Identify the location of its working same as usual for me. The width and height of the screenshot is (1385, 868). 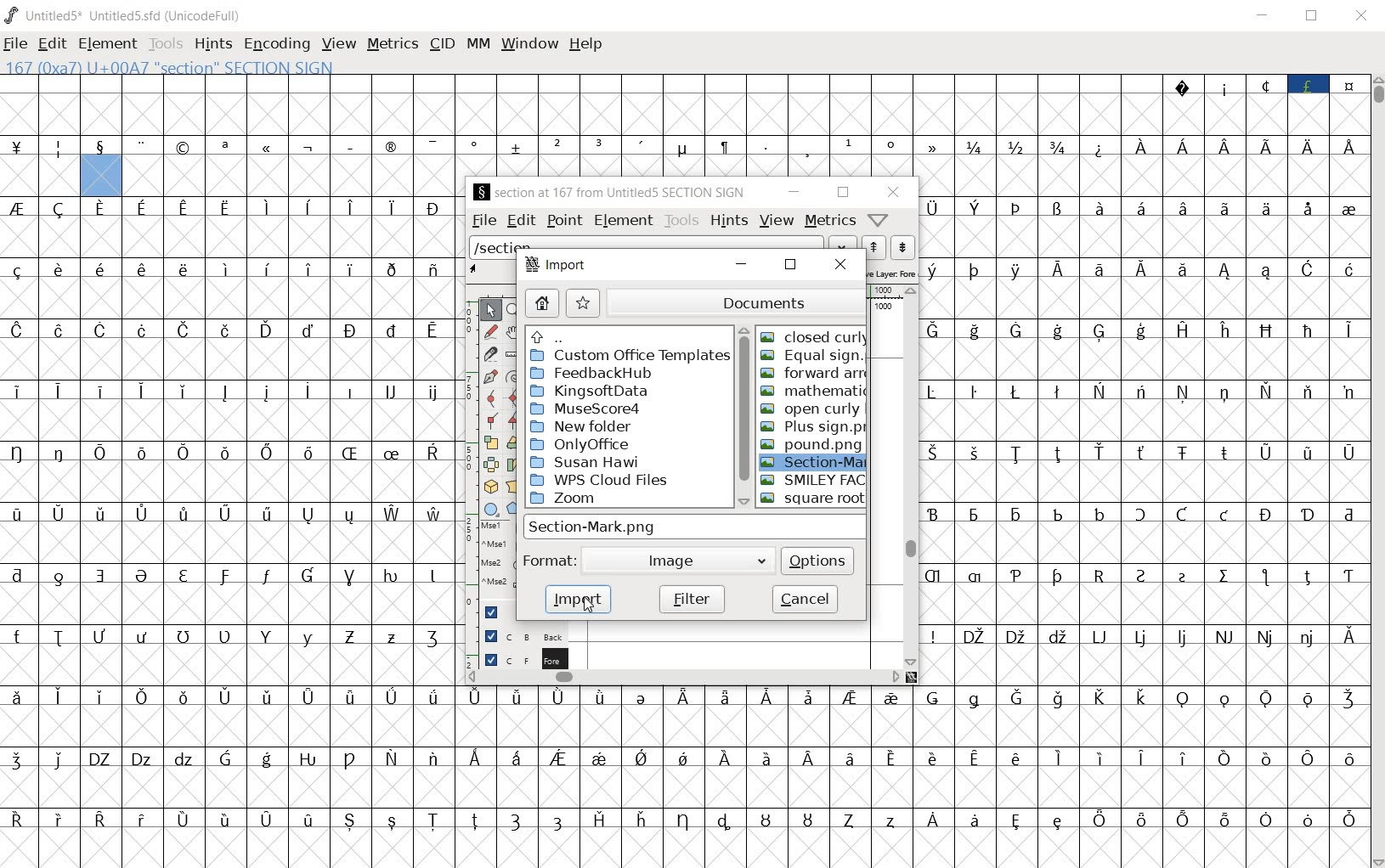
(1145, 481).